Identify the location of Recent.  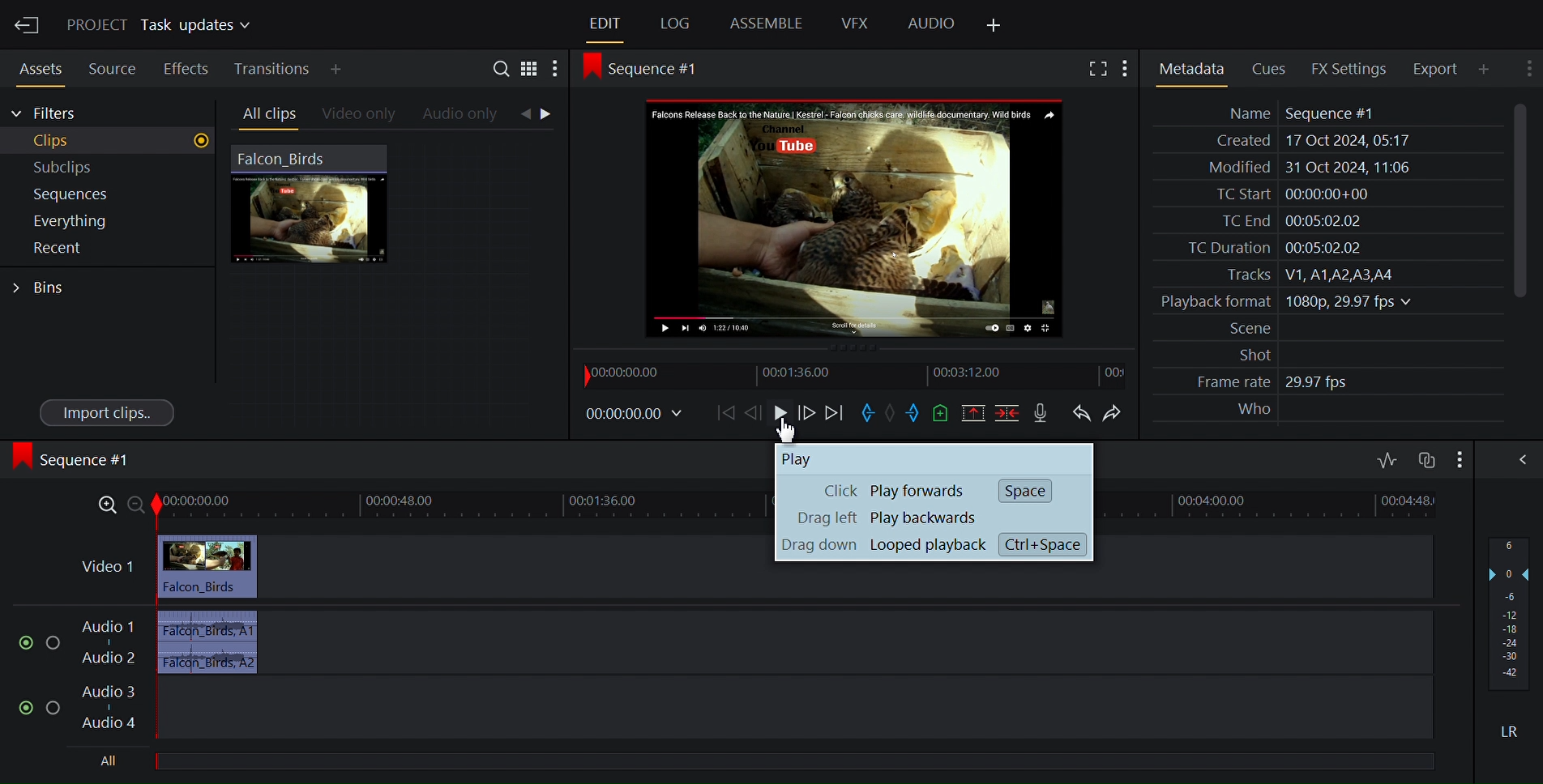
(97, 249).